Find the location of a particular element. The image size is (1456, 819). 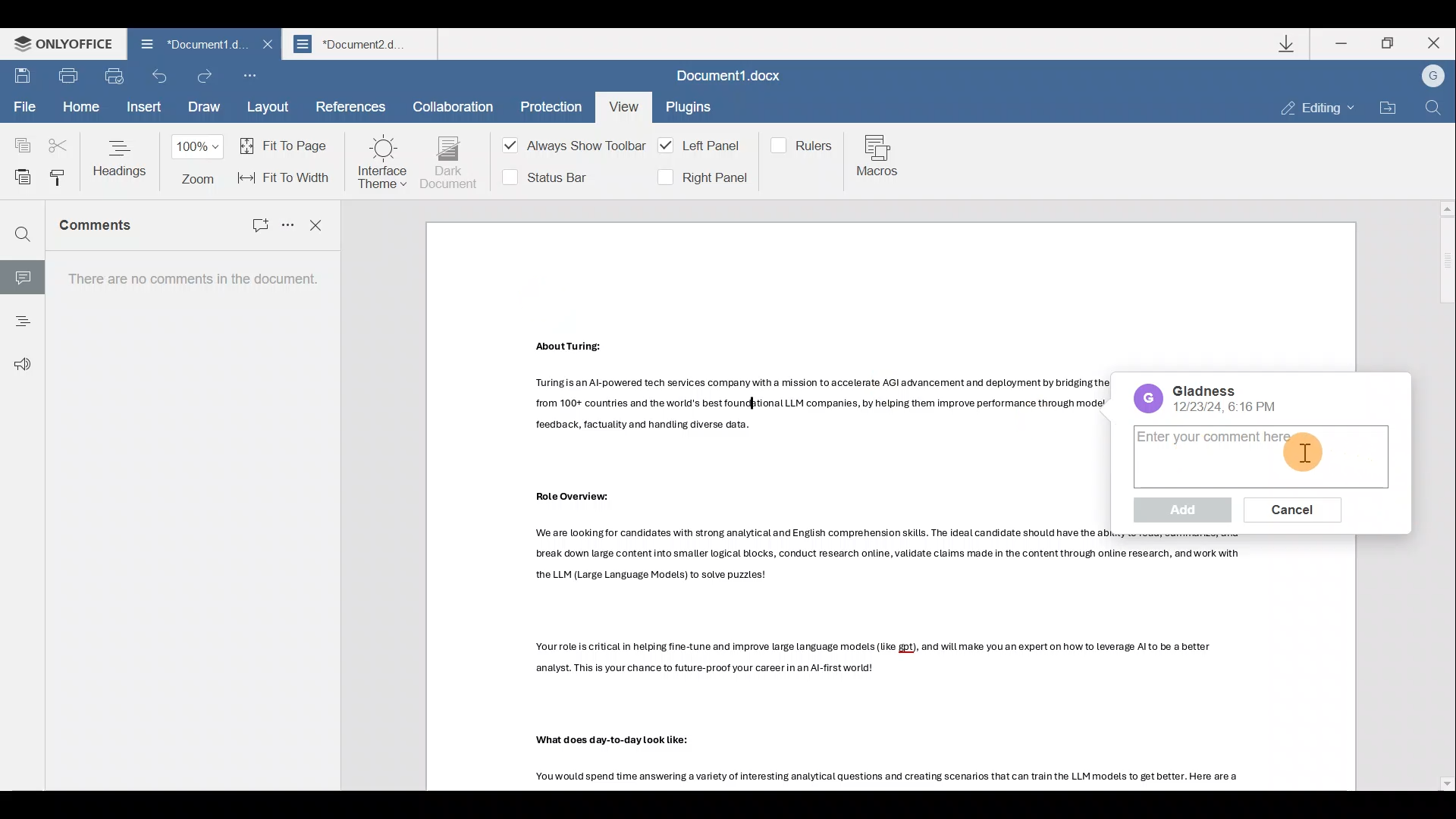

 is located at coordinates (821, 405).